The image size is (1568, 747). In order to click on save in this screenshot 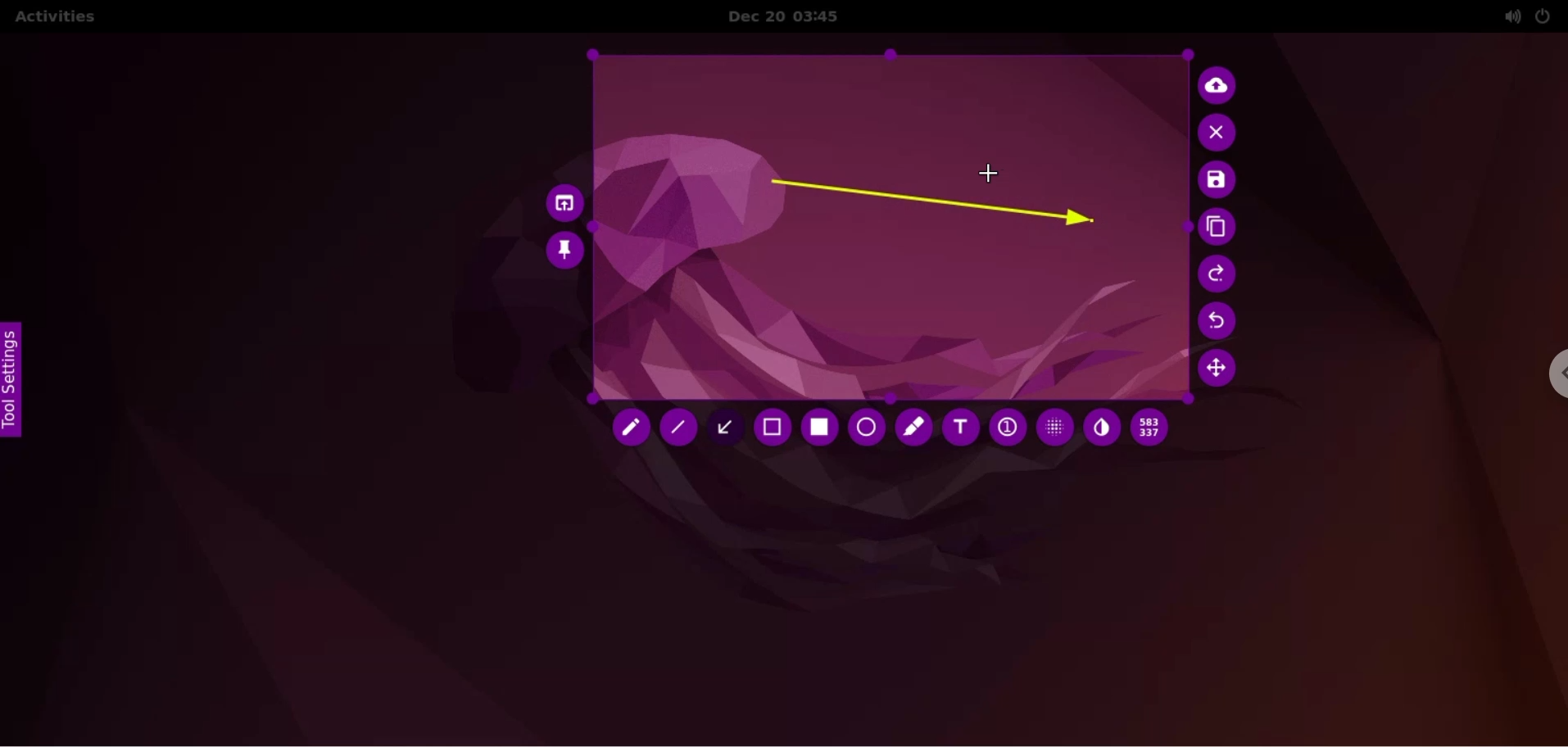, I will do `click(1217, 181)`.